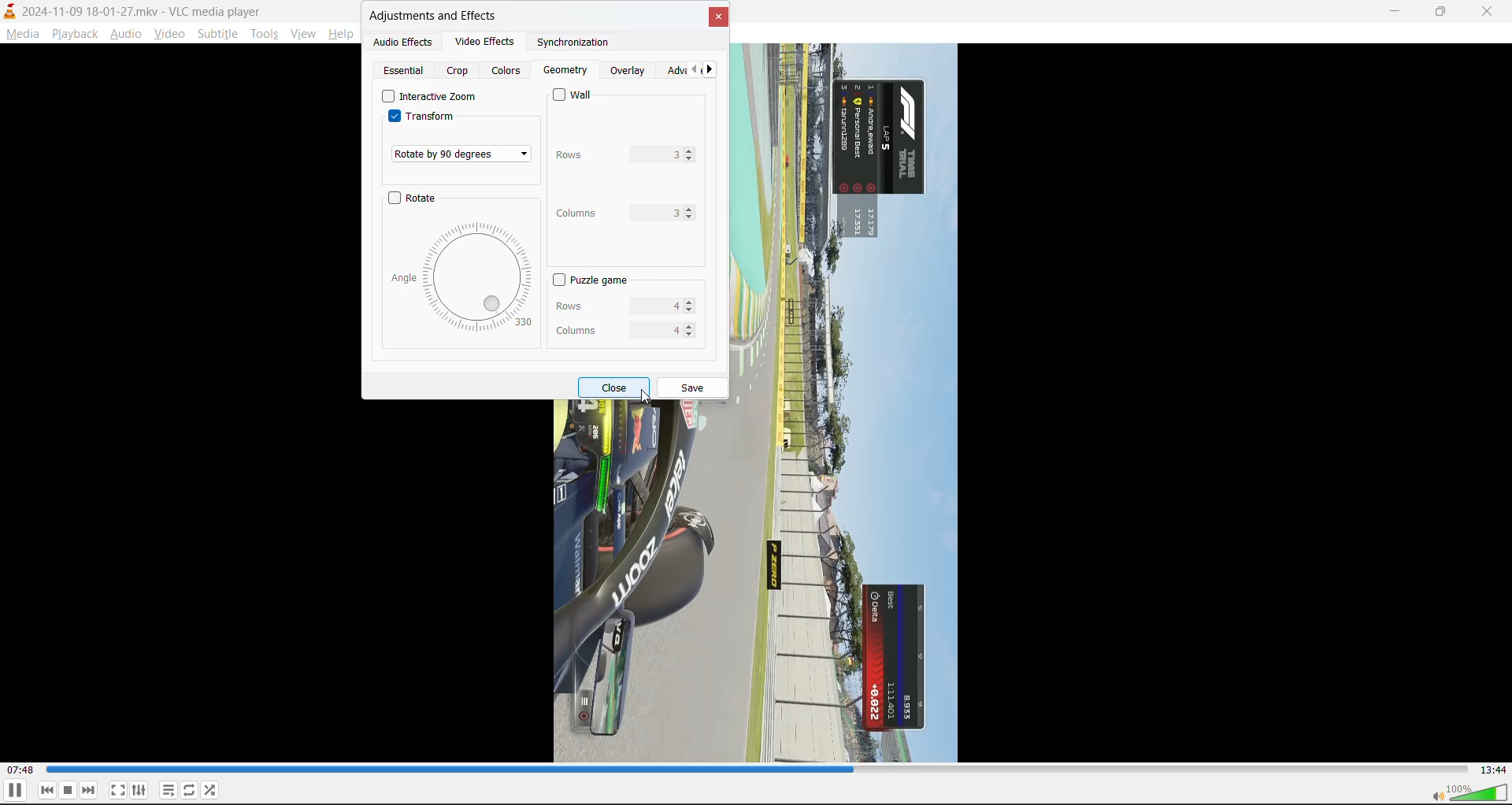 The width and height of the screenshot is (1512, 805). What do you see at coordinates (343, 33) in the screenshot?
I see `help` at bounding box center [343, 33].